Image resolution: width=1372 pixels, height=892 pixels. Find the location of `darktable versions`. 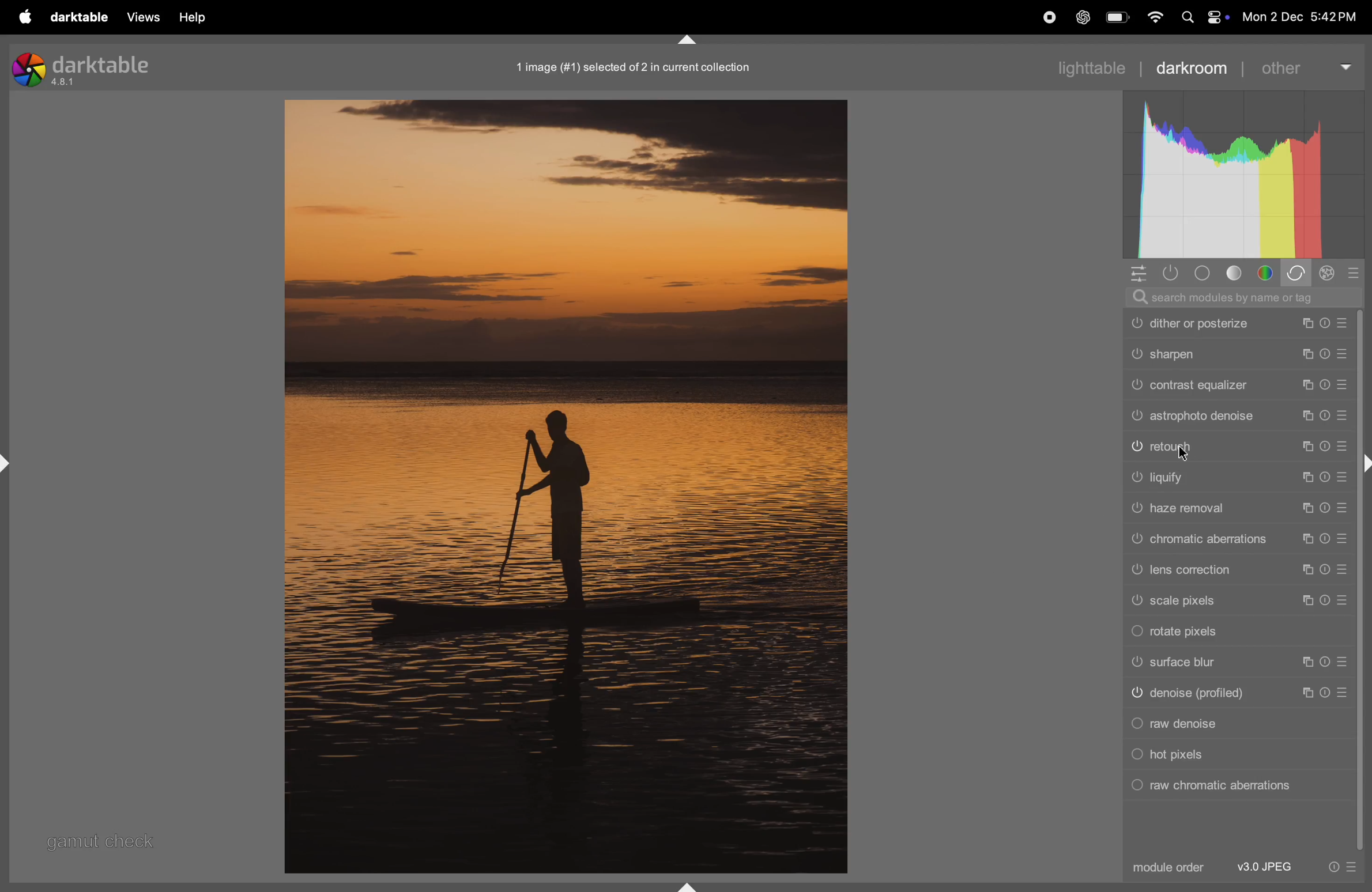

darktable versions is located at coordinates (86, 68).